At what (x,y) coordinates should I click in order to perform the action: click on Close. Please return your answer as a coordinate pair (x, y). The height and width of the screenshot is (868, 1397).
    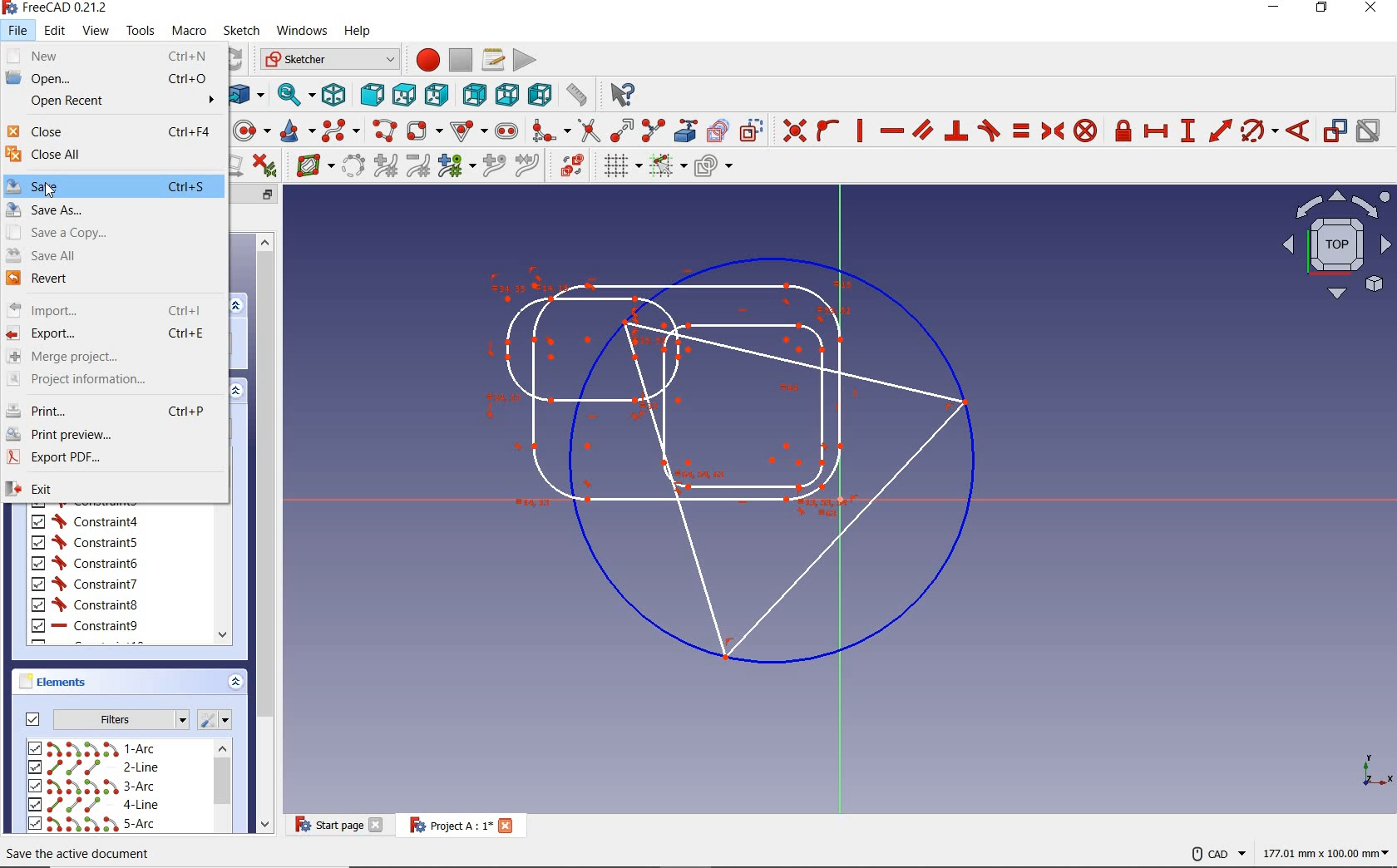
    Looking at the image, I should click on (506, 825).